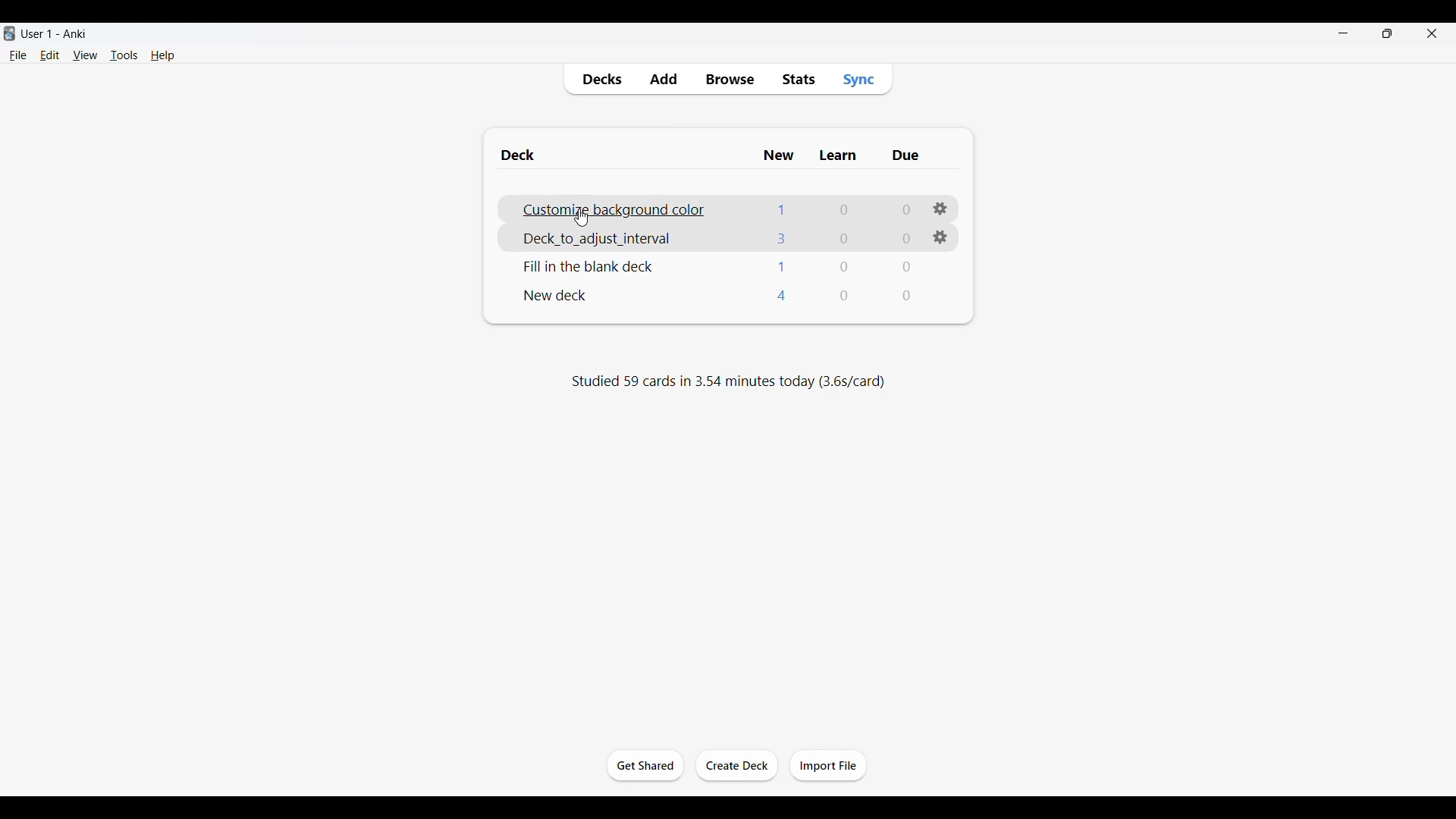  Describe the element at coordinates (828, 764) in the screenshot. I see `Import file` at that location.